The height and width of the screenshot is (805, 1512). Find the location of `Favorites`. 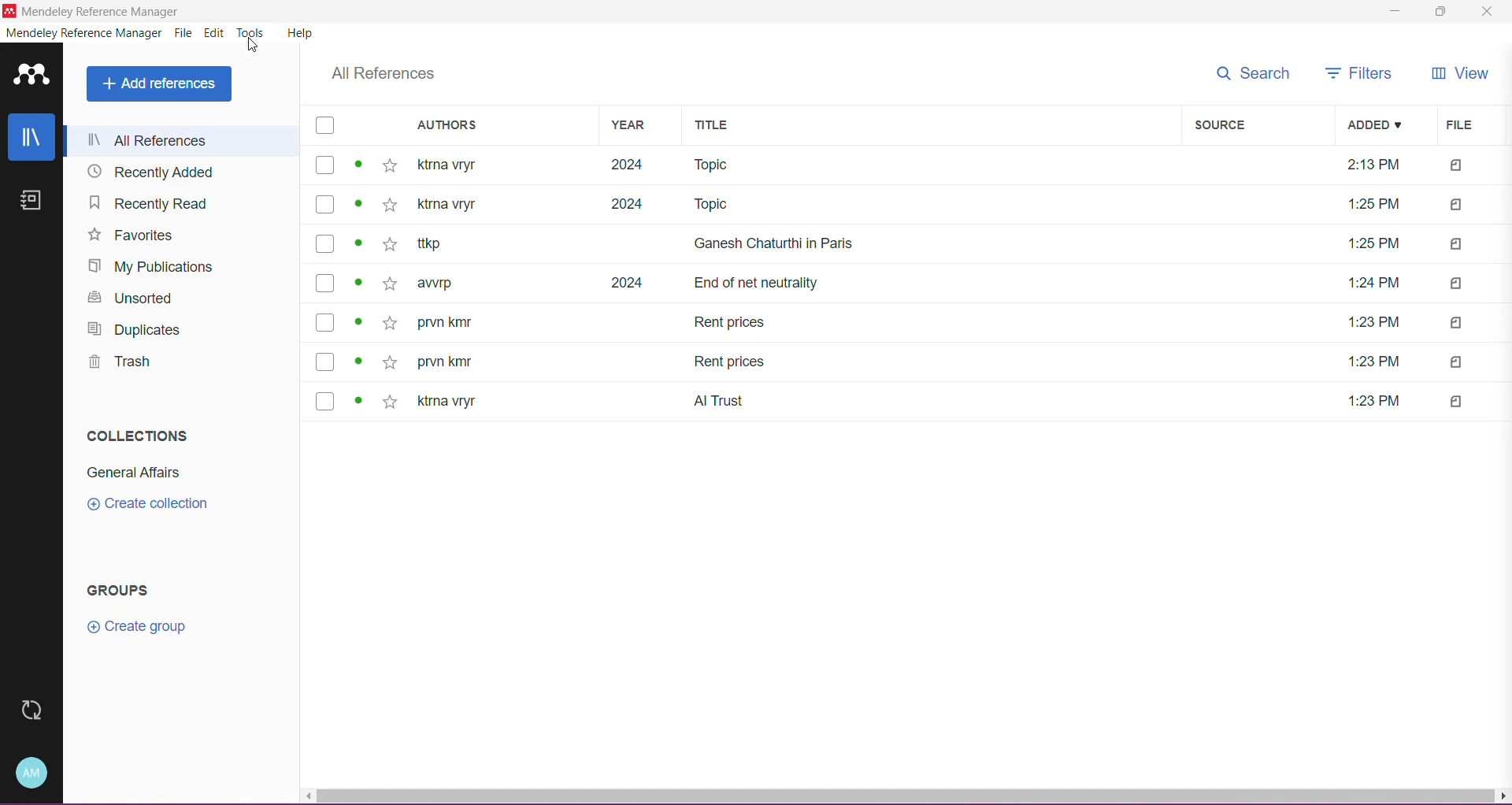

Favorites is located at coordinates (132, 236).